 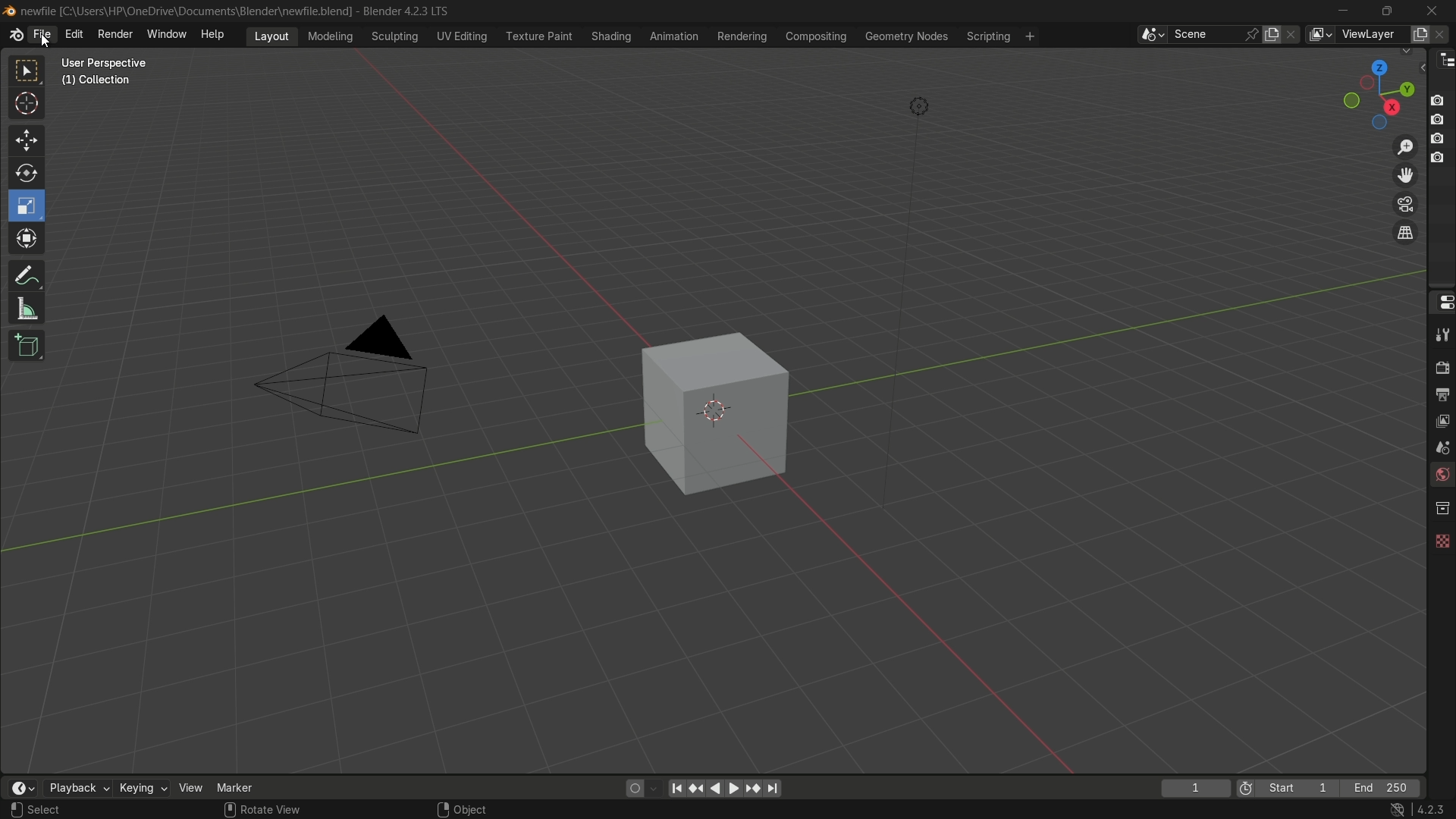 What do you see at coordinates (142, 789) in the screenshot?
I see `keying` at bounding box center [142, 789].